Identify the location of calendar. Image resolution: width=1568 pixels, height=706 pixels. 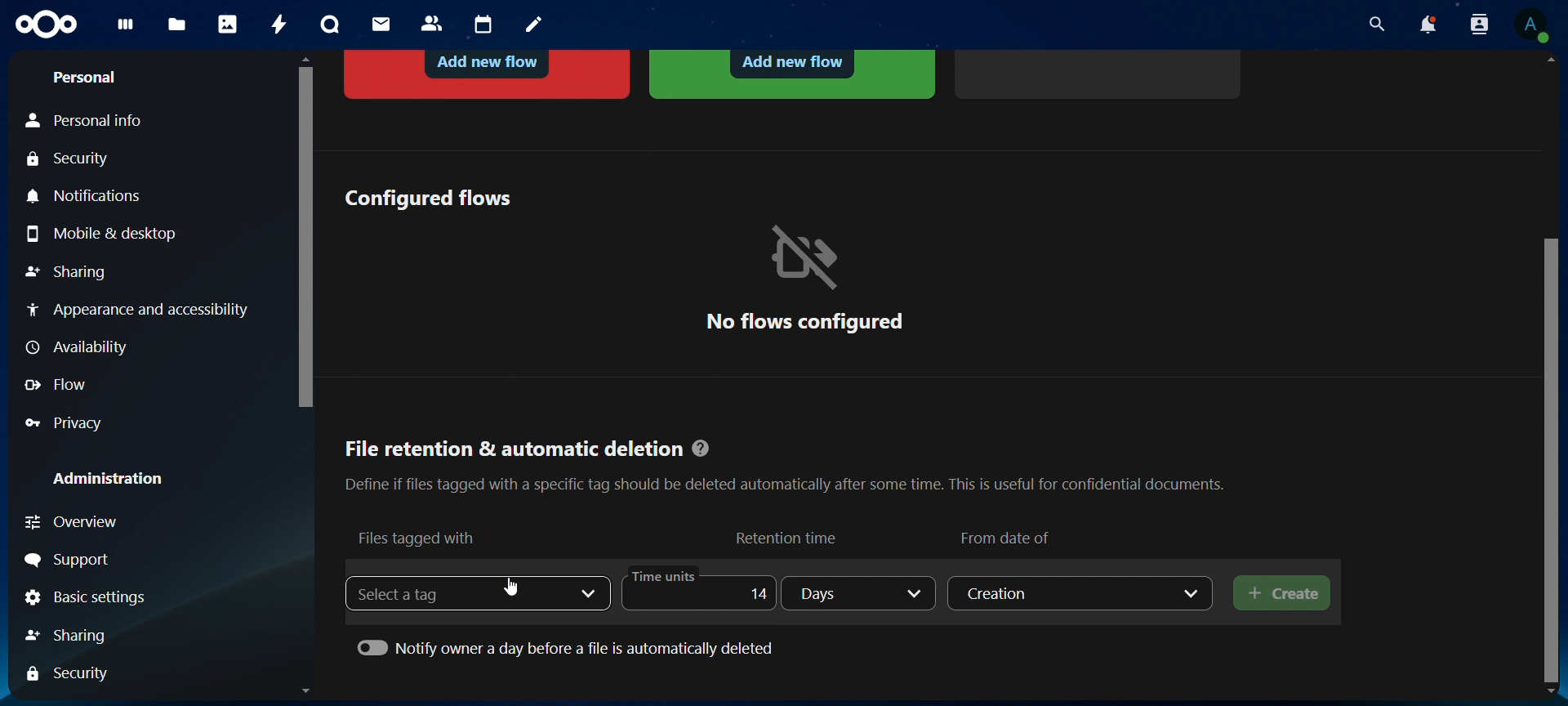
(484, 25).